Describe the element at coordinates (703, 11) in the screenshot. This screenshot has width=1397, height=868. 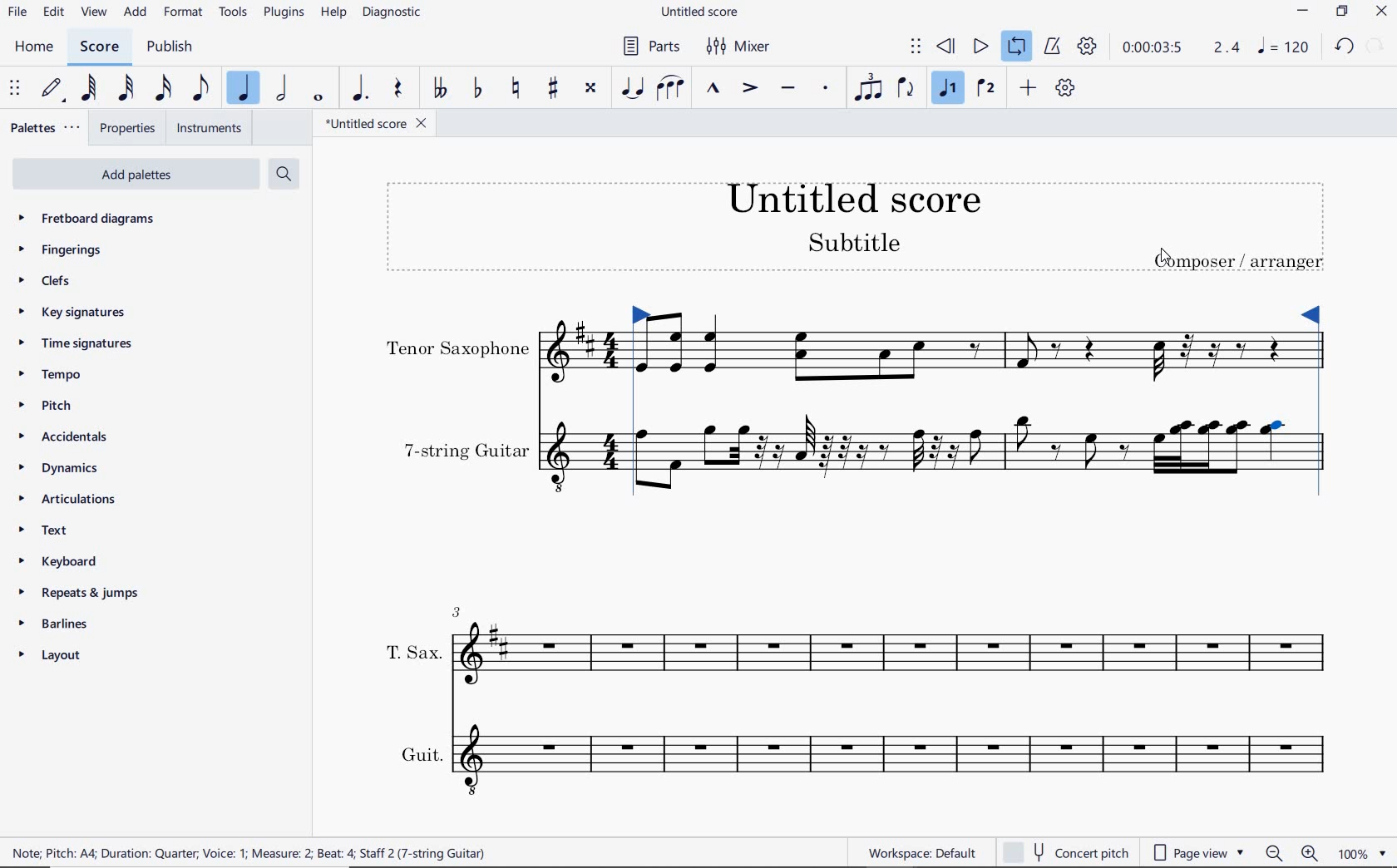
I see `FILE NAME` at that location.